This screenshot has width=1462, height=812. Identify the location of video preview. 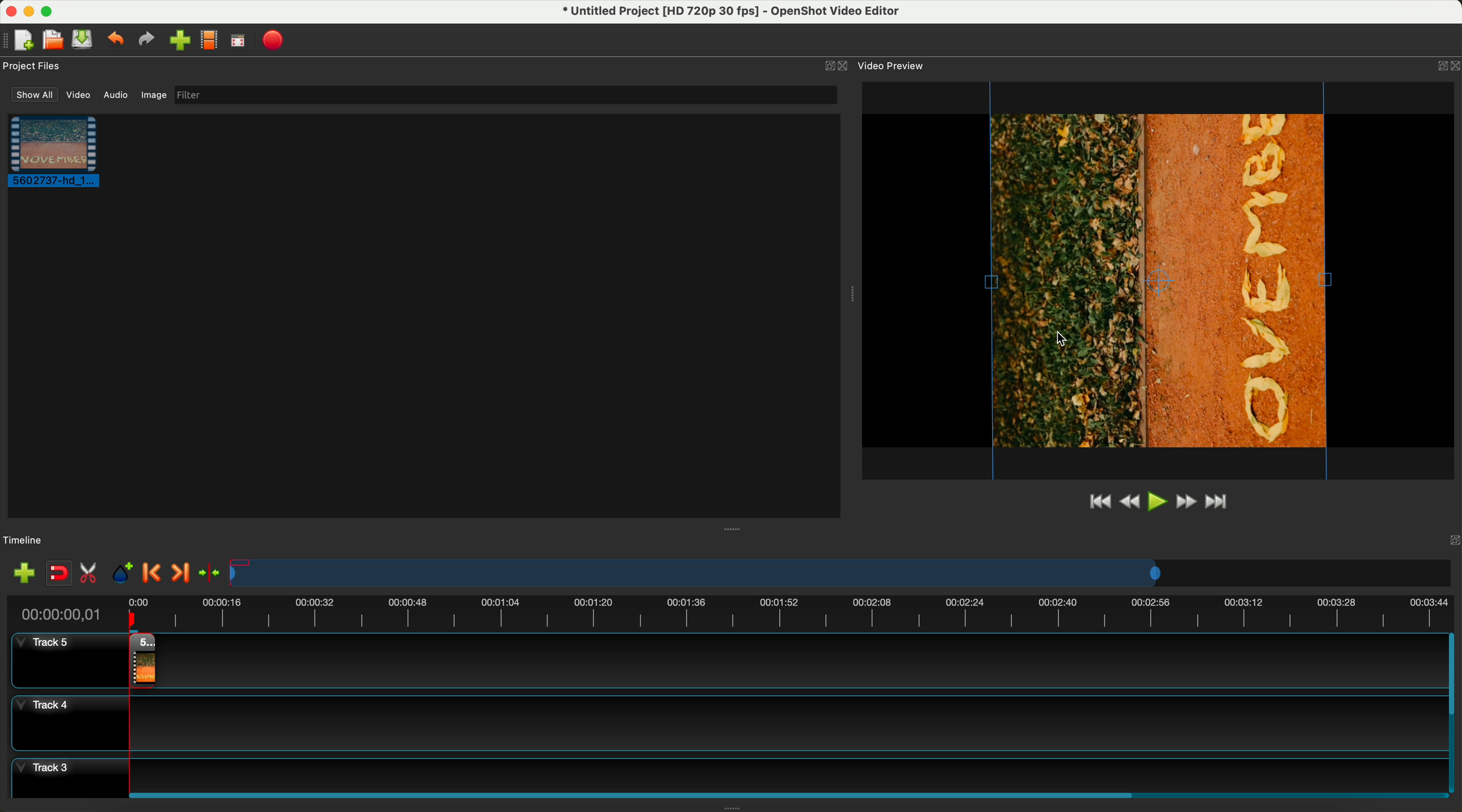
(892, 65).